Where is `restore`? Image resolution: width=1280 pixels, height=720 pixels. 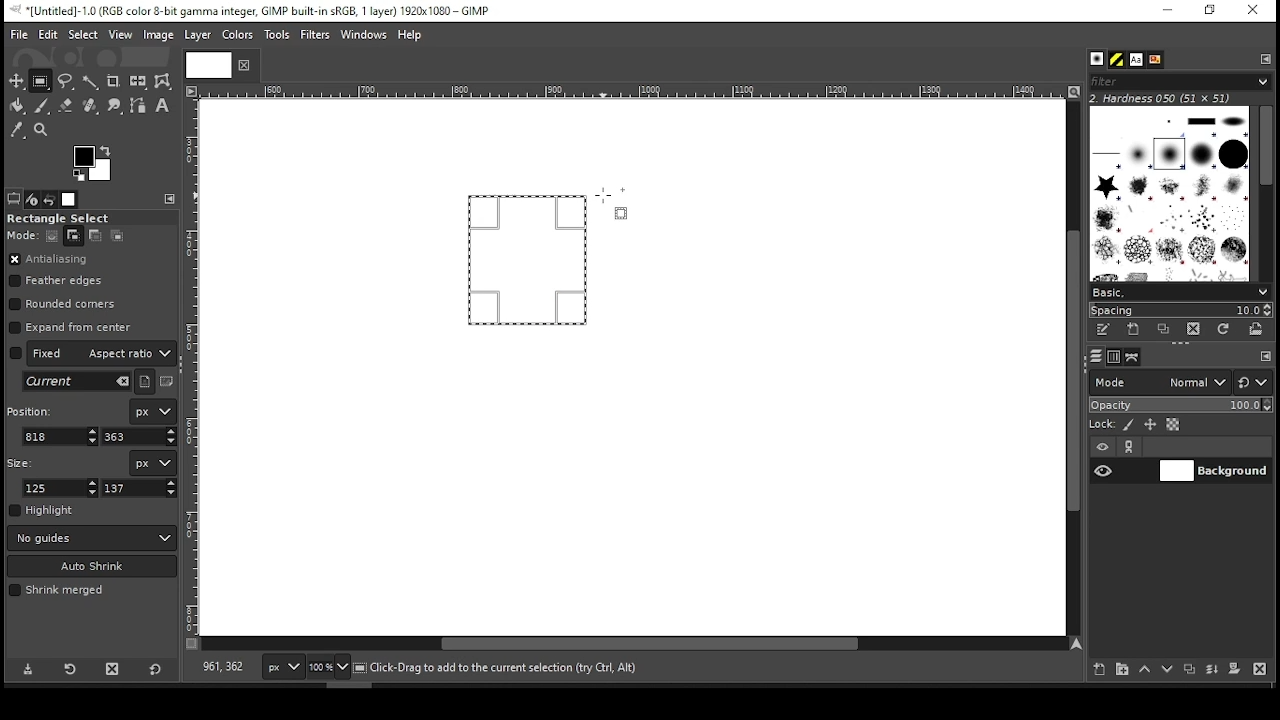
restore is located at coordinates (1212, 11).